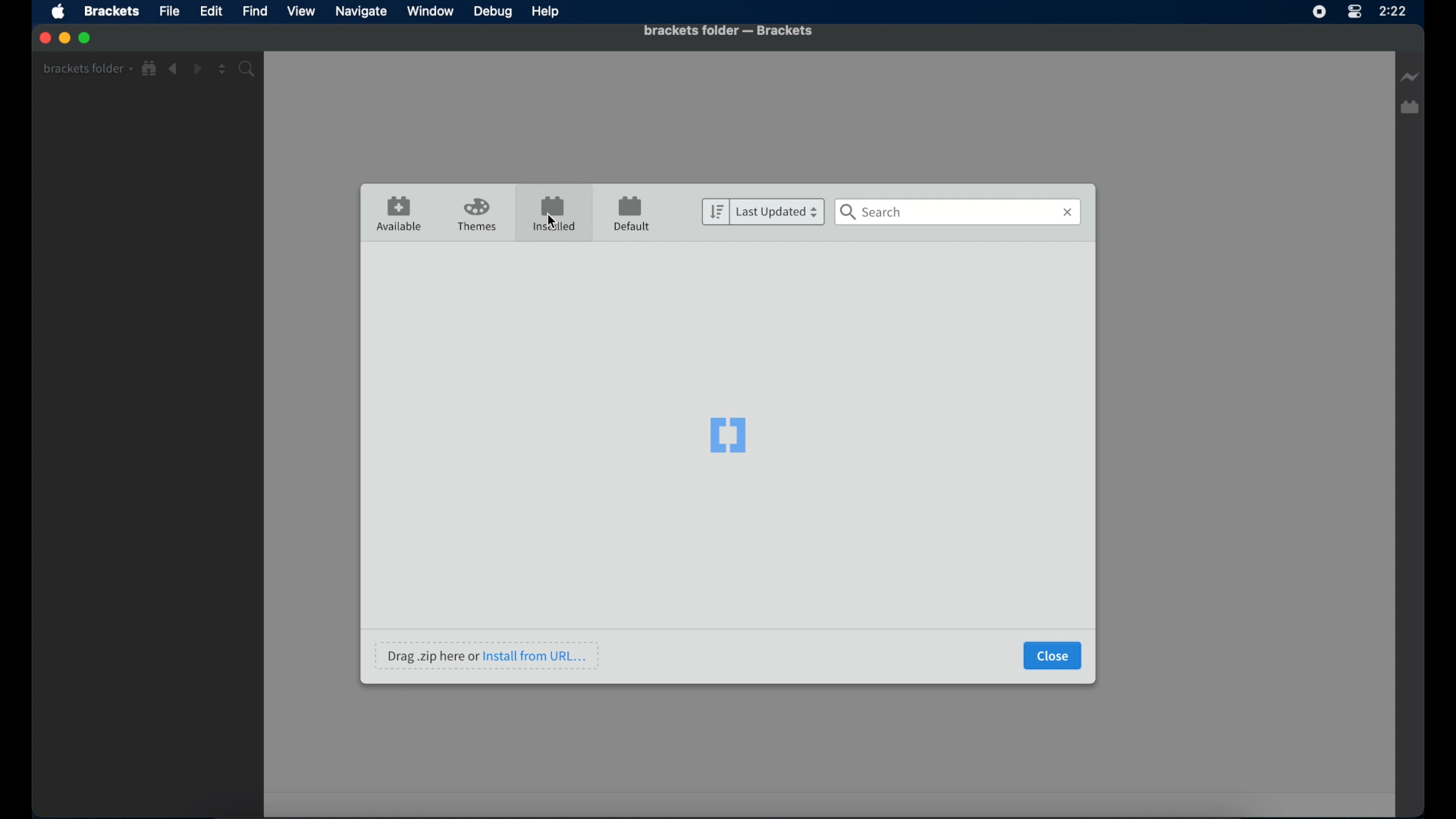  Describe the element at coordinates (714, 212) in the screenshot. I see `sort` at that location.